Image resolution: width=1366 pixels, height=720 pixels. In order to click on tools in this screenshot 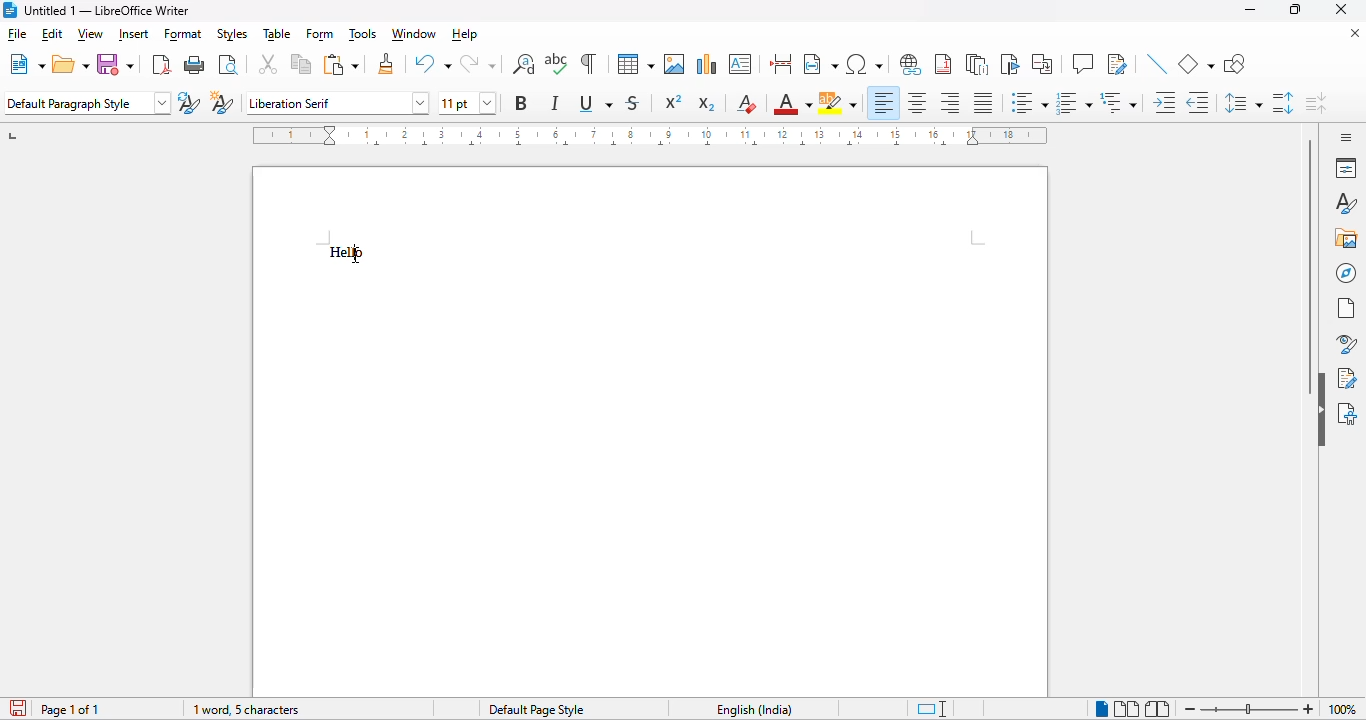, I will do `click(362, 34)`.